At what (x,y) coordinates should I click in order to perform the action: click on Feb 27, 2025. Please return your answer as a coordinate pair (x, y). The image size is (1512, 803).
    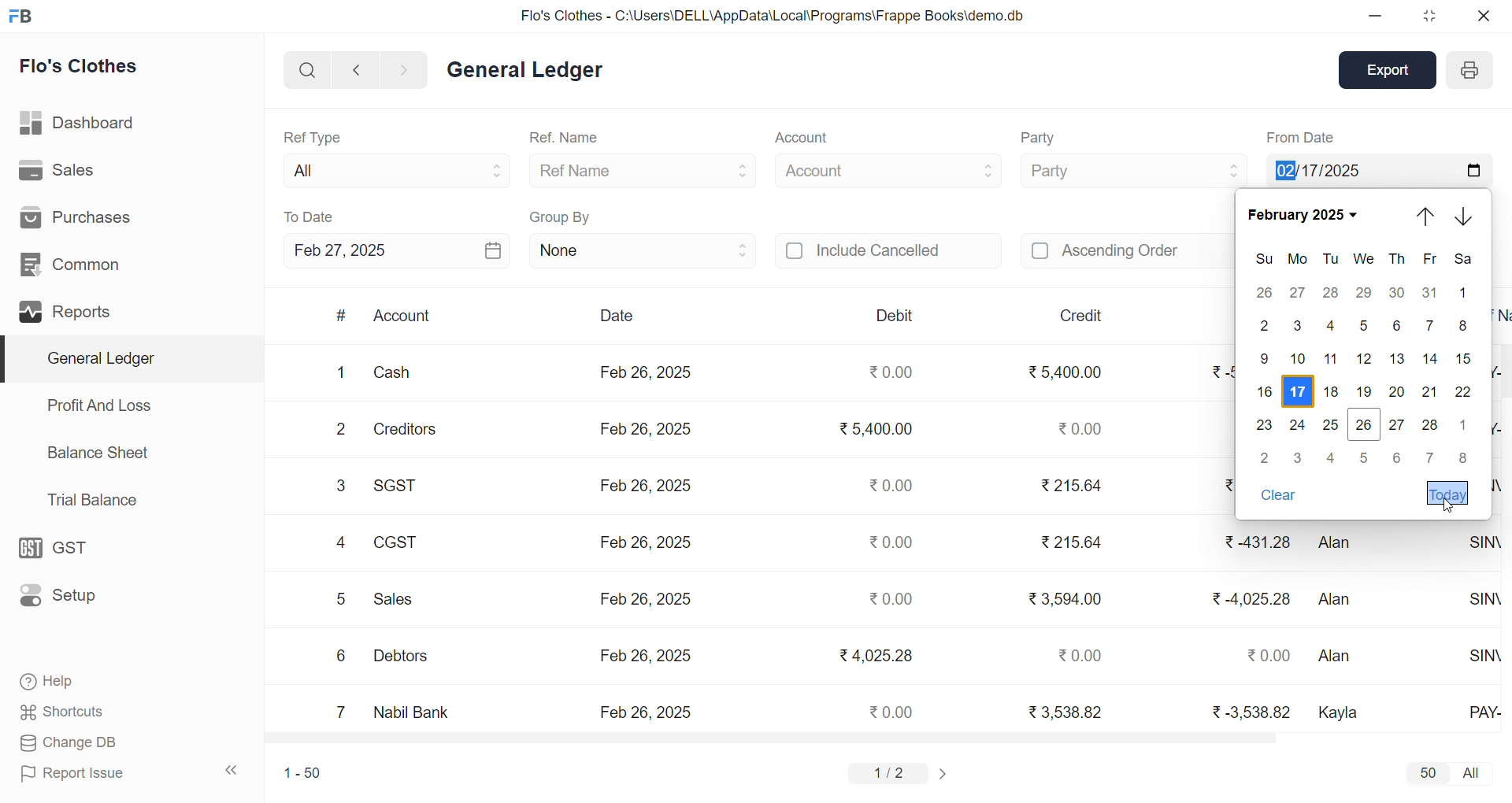
    Looking at the image, I should click on (397, 250).